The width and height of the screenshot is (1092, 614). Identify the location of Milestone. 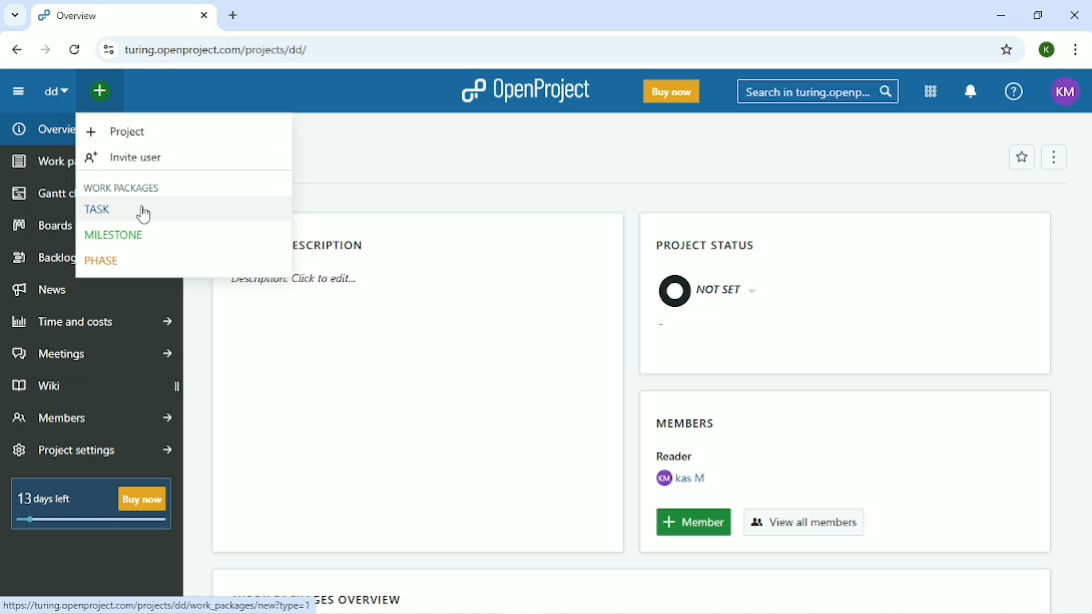
(113, 236).